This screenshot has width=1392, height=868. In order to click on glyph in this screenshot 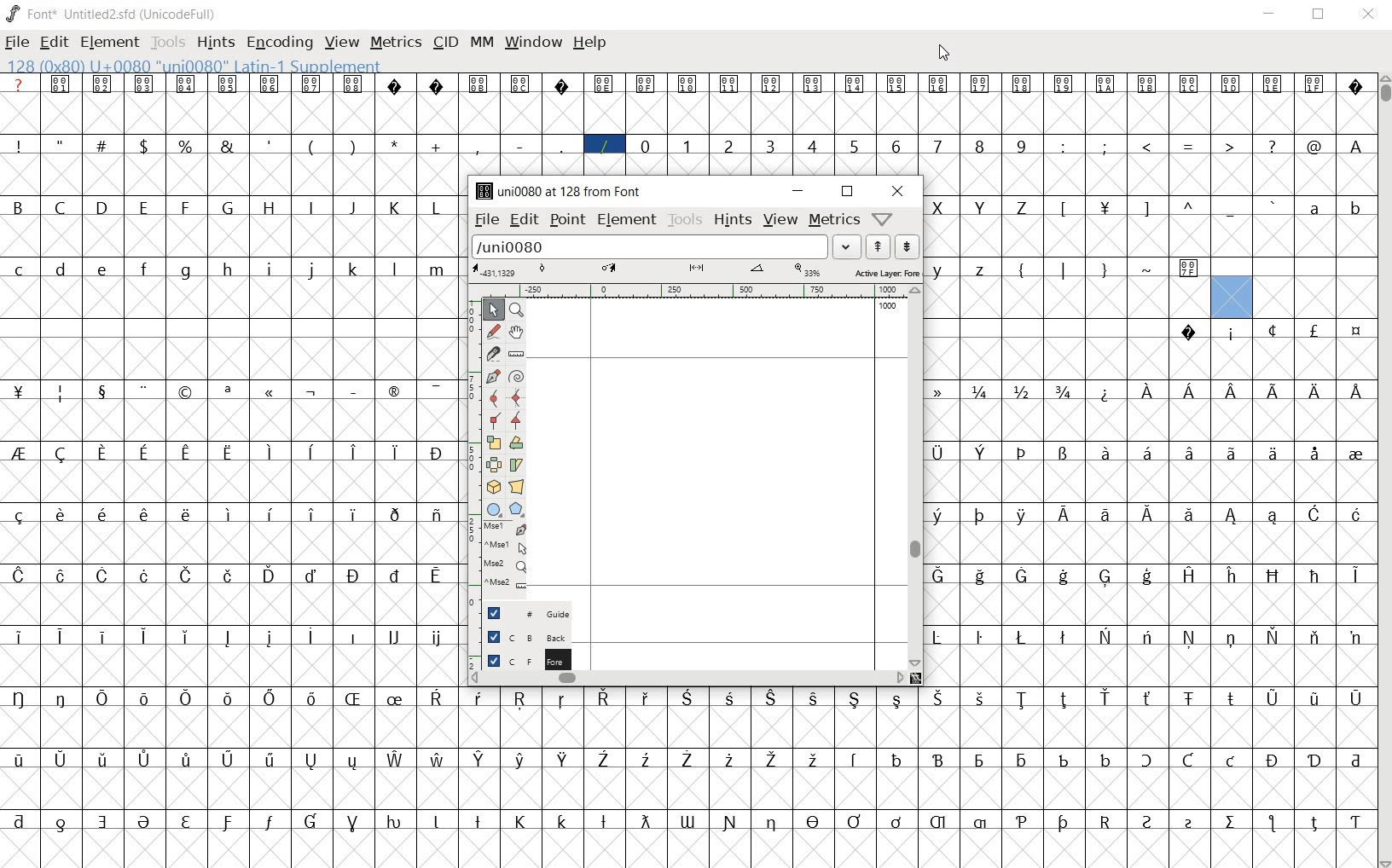, I will do `click(394, 85)`.